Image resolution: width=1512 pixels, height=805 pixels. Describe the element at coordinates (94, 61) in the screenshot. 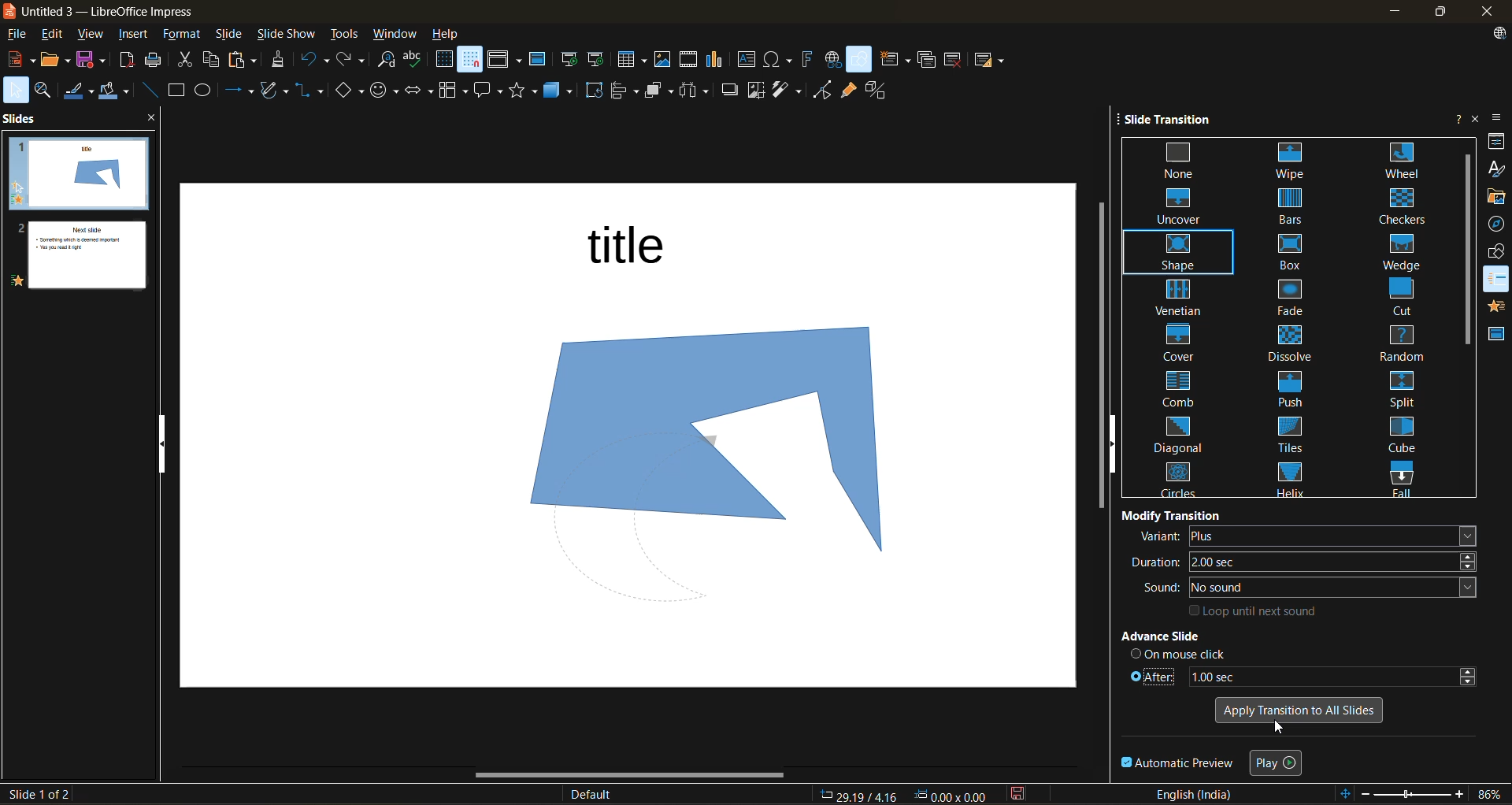

I see `save` at that location.